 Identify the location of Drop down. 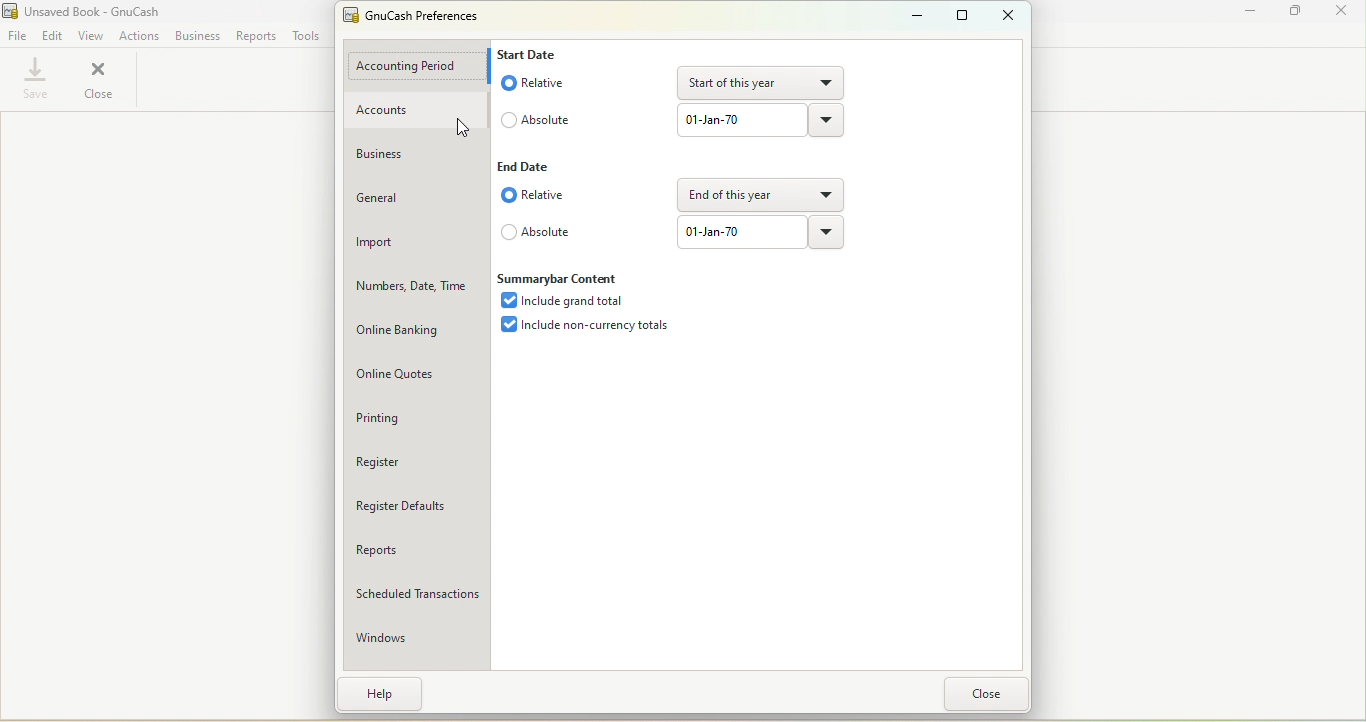
(830, 236).